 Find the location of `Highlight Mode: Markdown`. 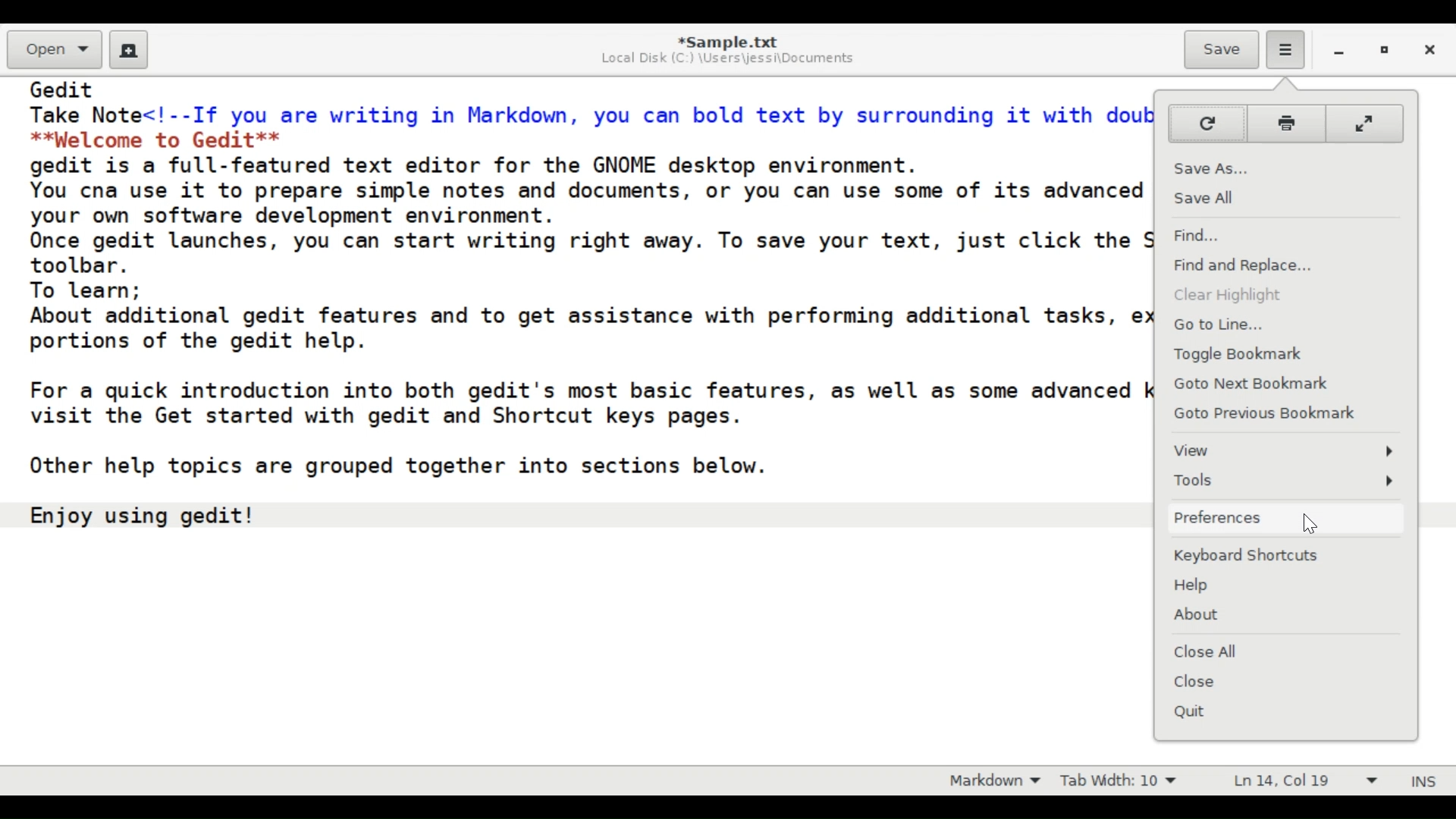

Highlight Mode: Markdown is located at coordinates (989, 780).